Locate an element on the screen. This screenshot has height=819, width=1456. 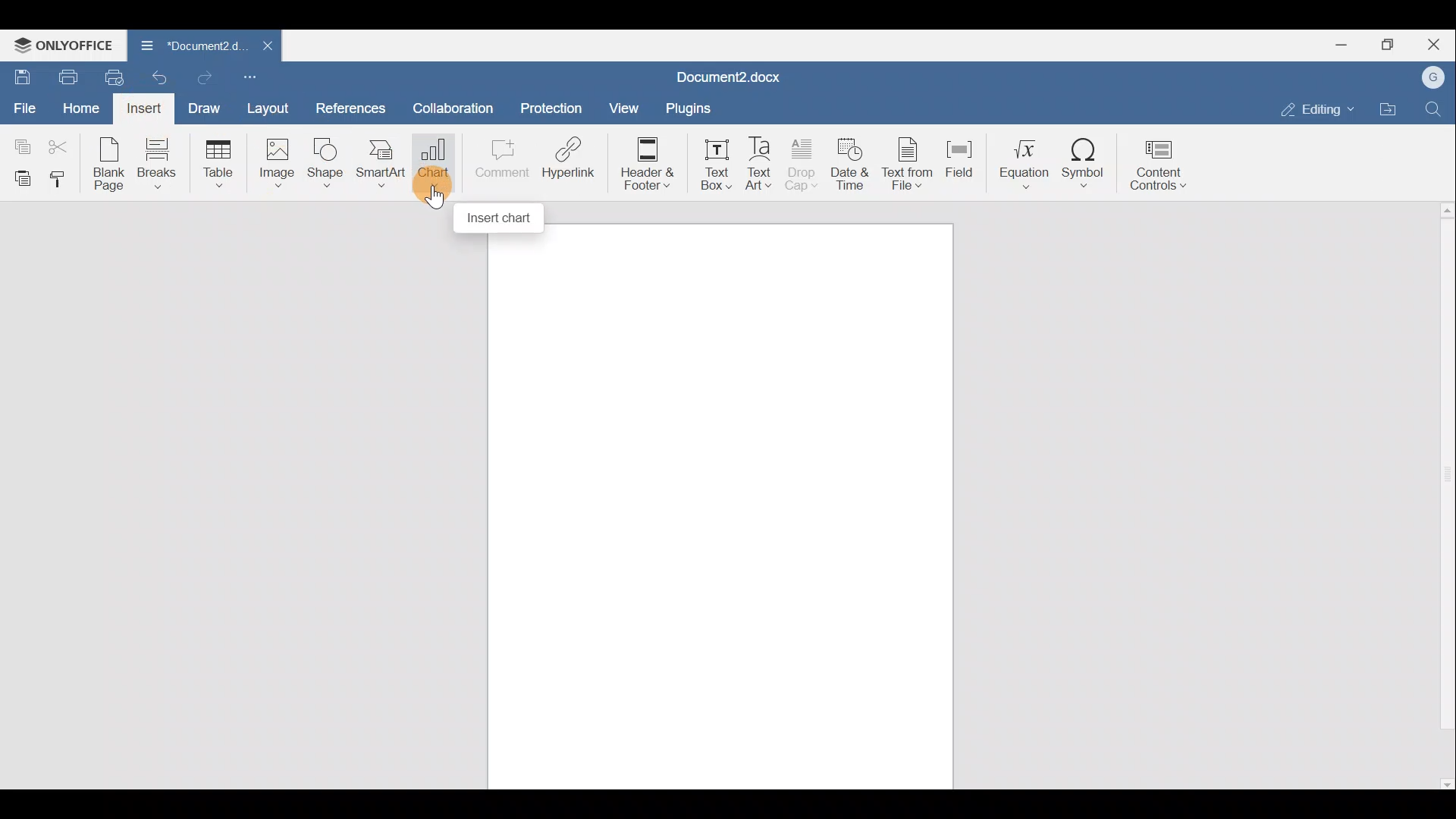
Protection is located at coordinates (551, 111).